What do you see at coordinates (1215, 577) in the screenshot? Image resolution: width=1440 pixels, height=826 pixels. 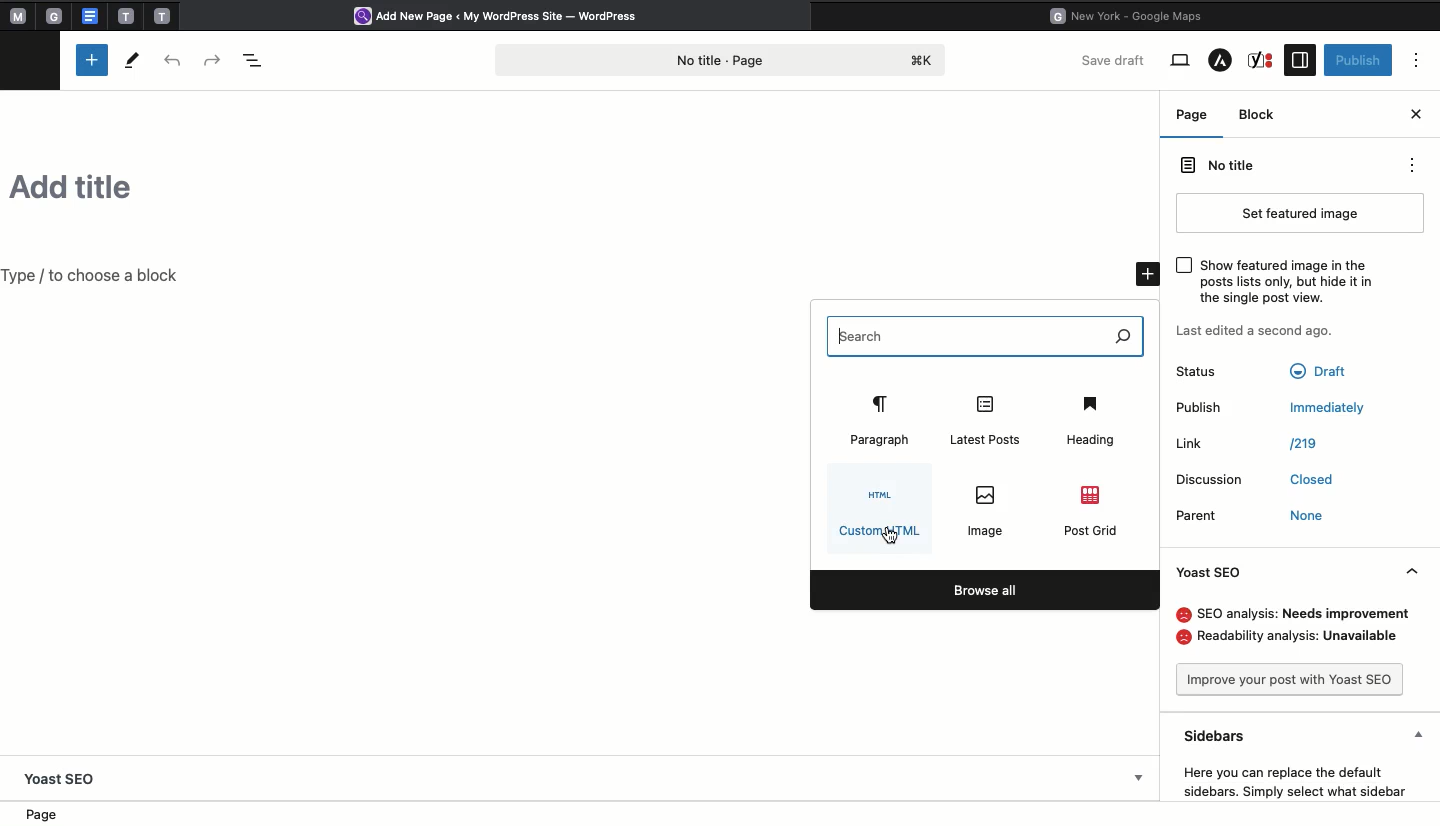 I see `Yoast seo` at bounding box center [1215, 577].